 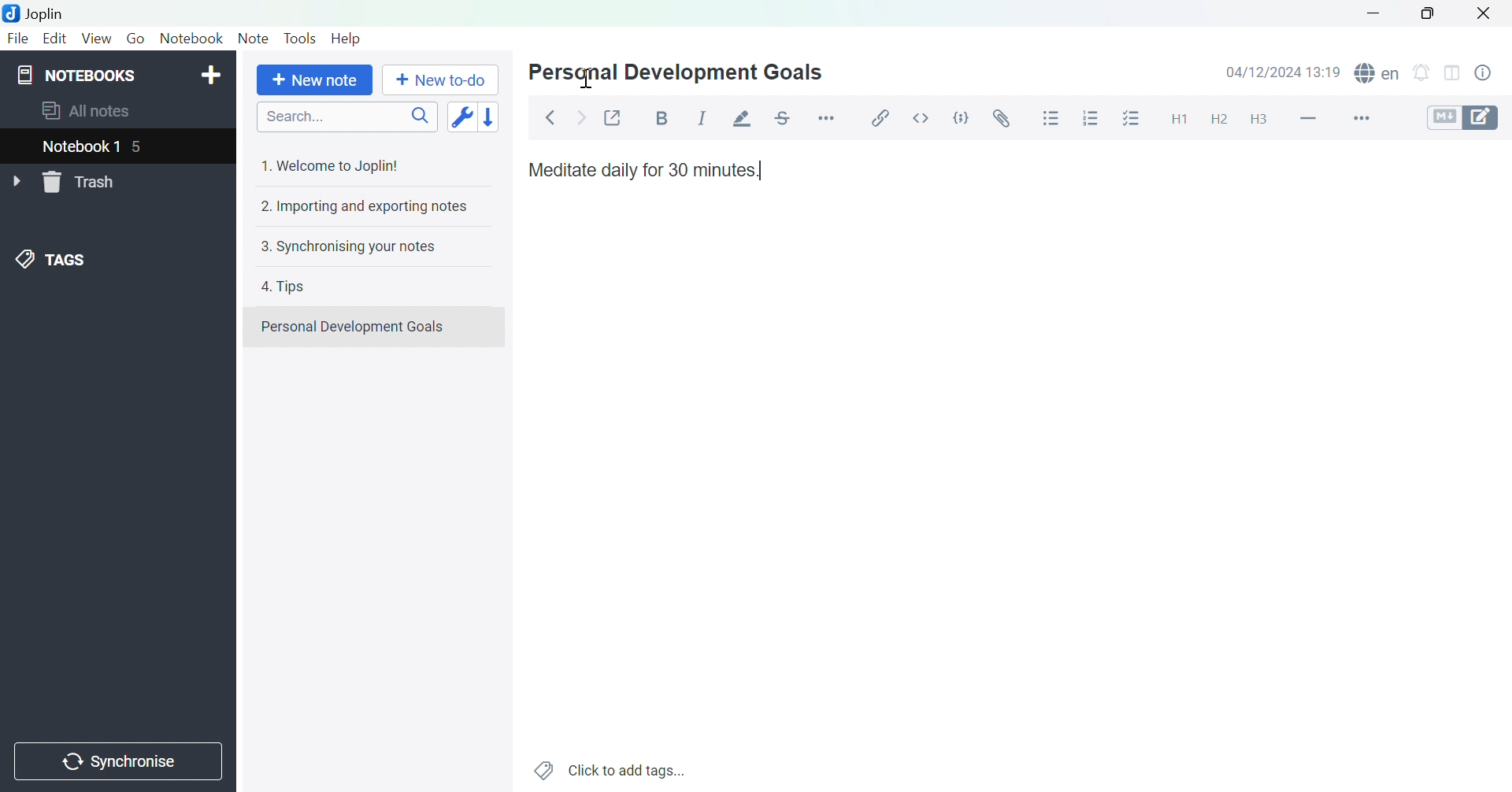 What do you see at coordinates (1218, 121) in the screenshot?
I see `Heading 2` at bounding box center [1218, 121].